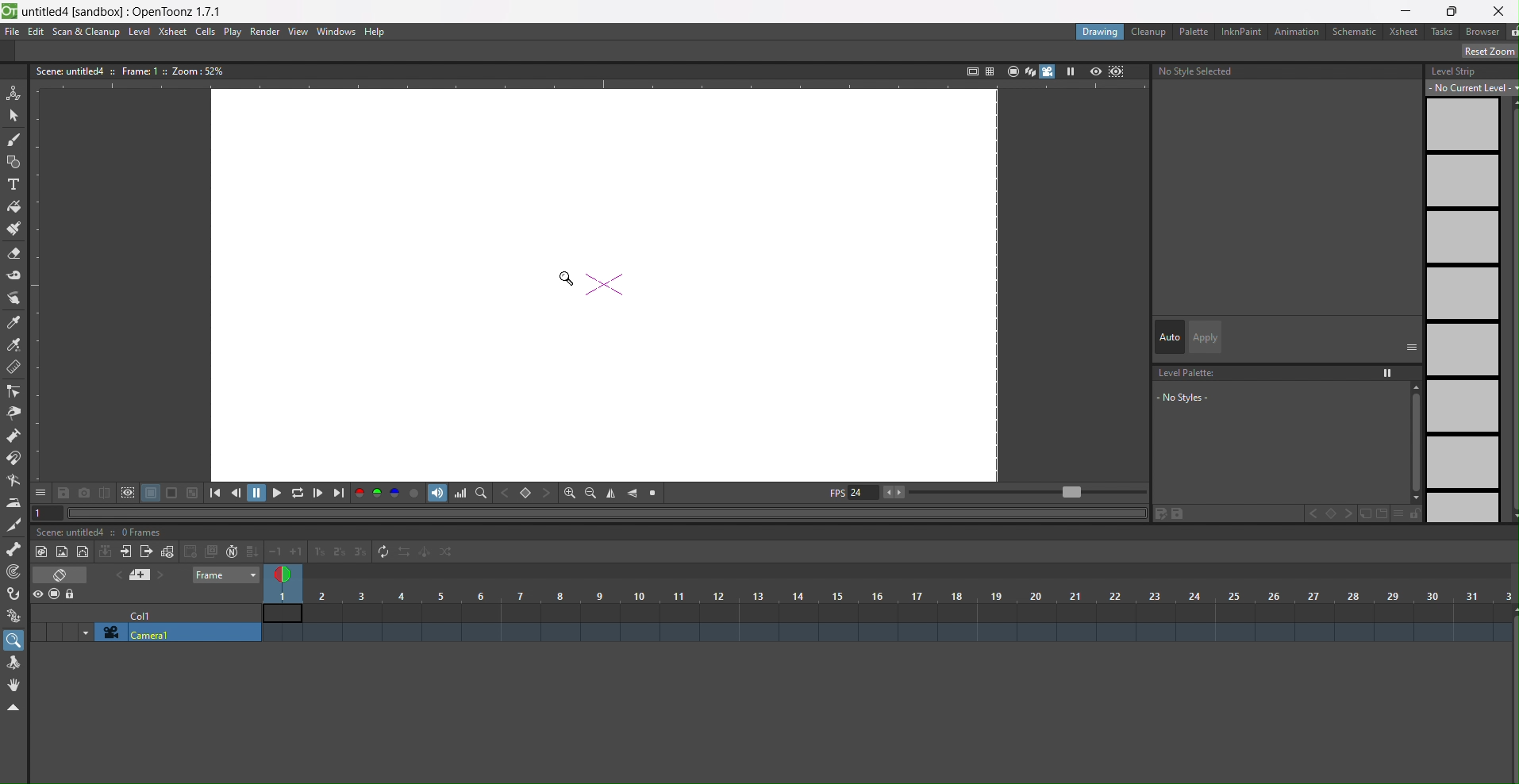 The width and height of the screenshot is (1519, 784). I want to click on style picker tool, so click(17, 298).